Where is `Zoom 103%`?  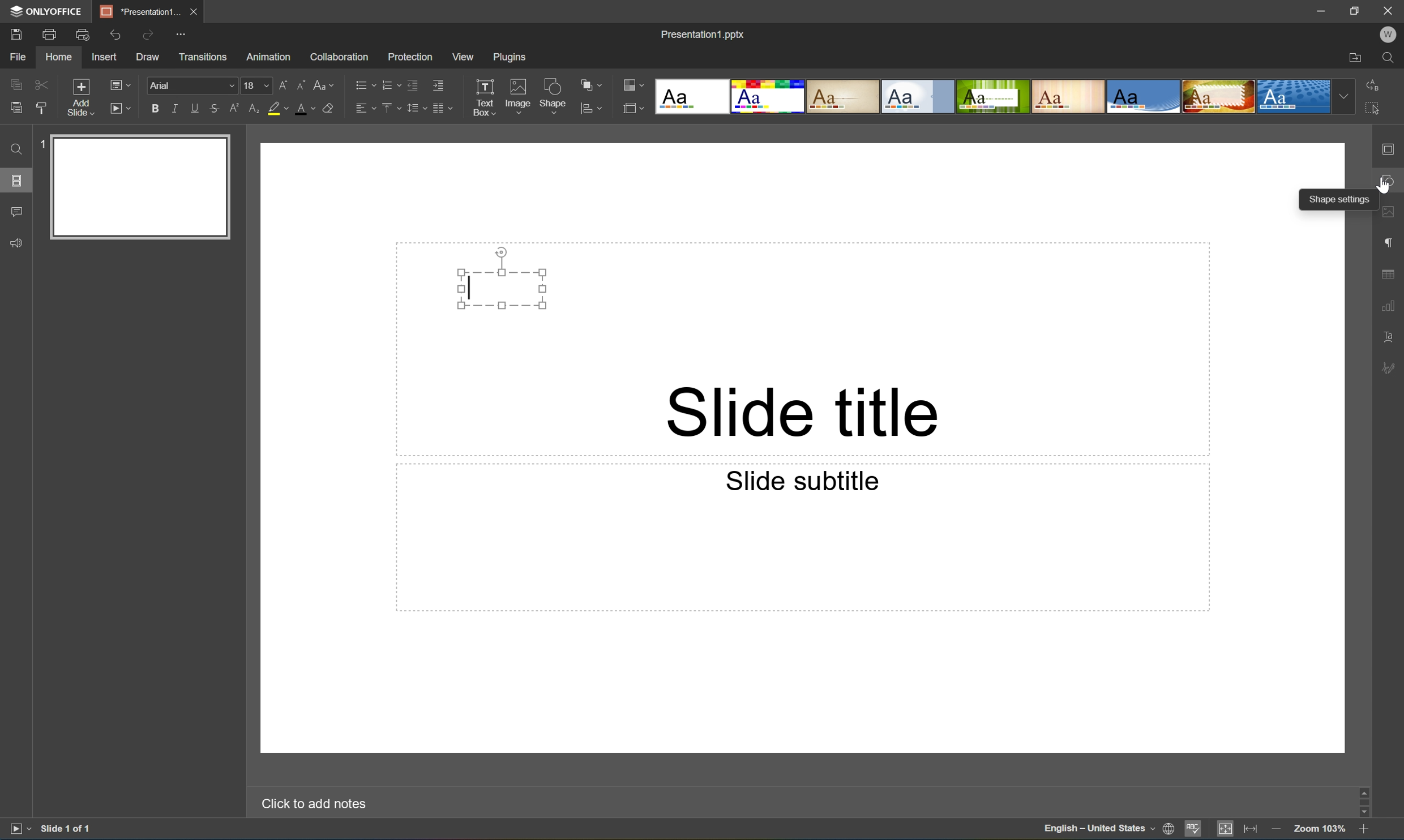 Zoom 103% is located at coordinates (1321, 830).